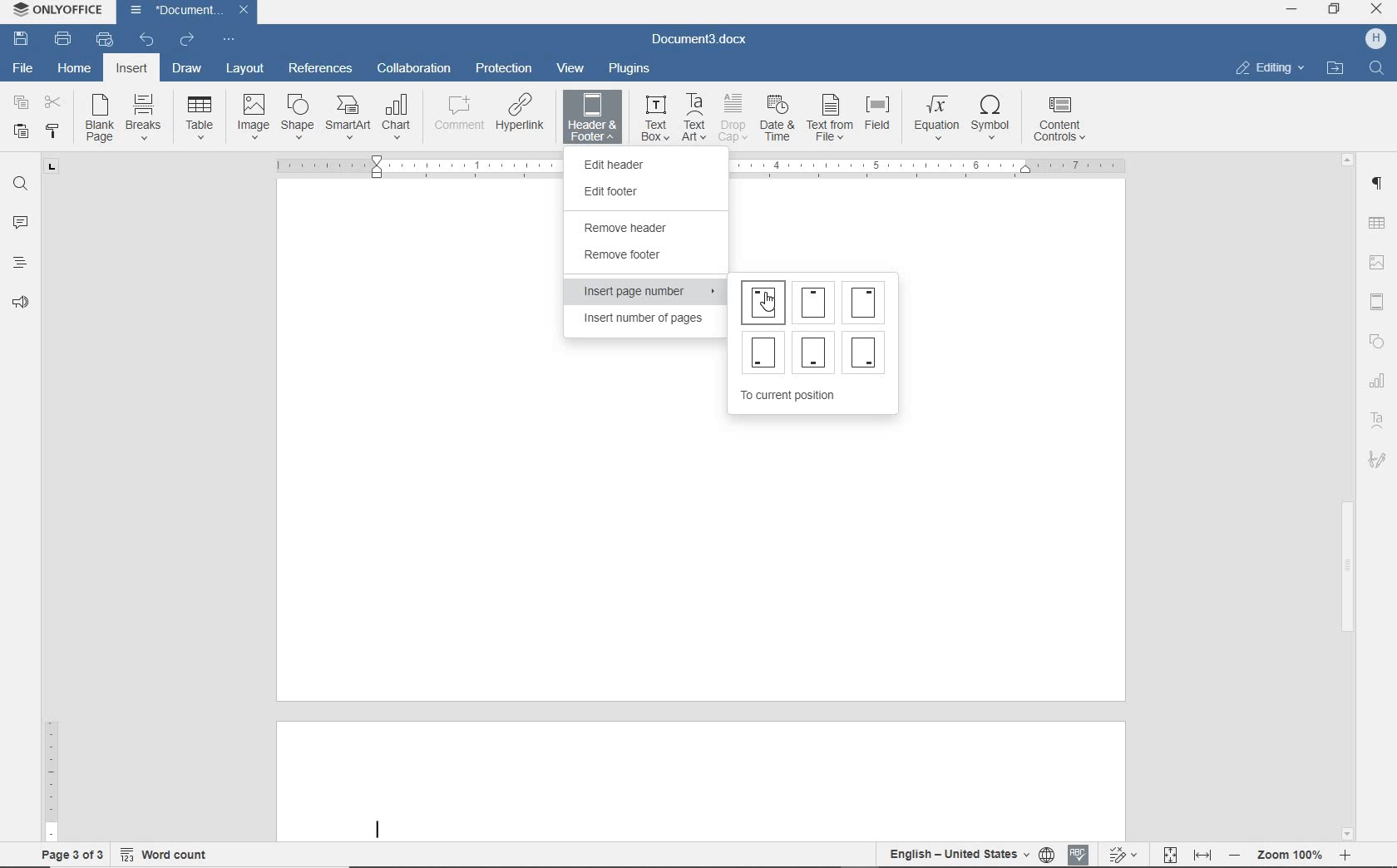 This screenshot has width=1397, height=868. Describe the element at coordinates (632, 257) in the screenshot. I see `REMOVE FOOTER` at that location.